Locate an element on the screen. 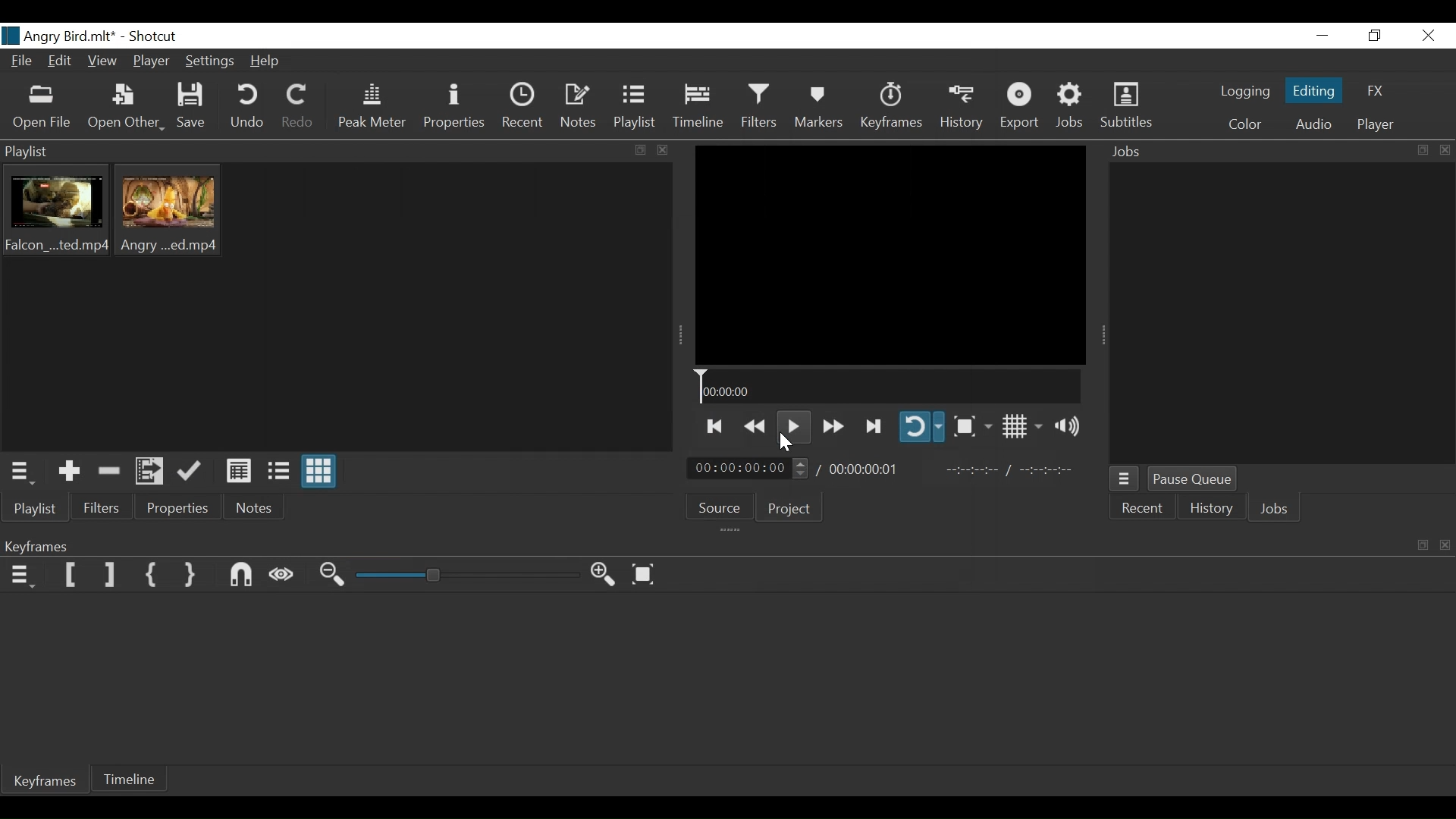  Keyframes is located at coordinates (893, 106).